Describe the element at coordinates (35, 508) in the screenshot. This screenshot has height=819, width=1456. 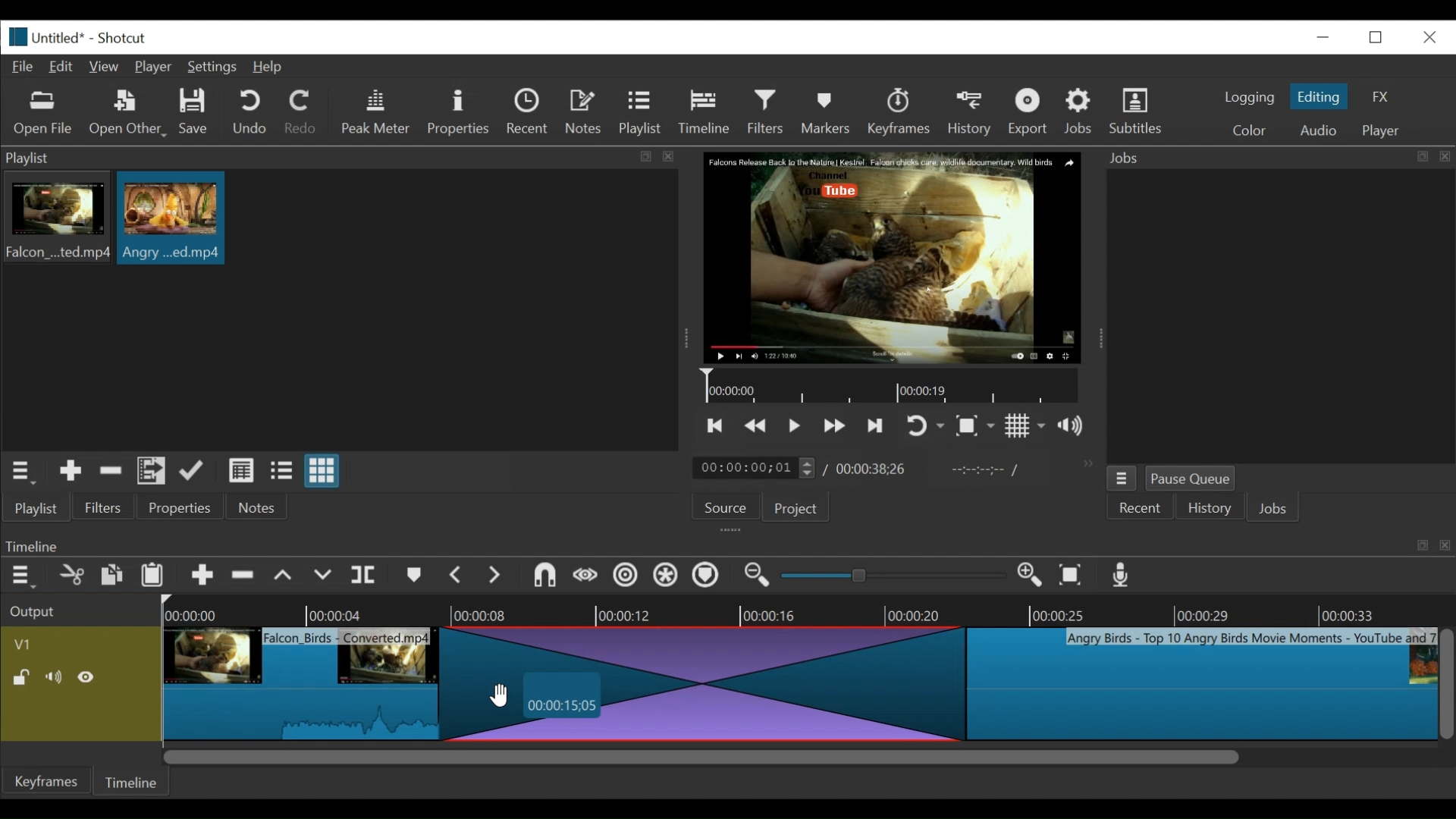
I see `playlist` at that location.